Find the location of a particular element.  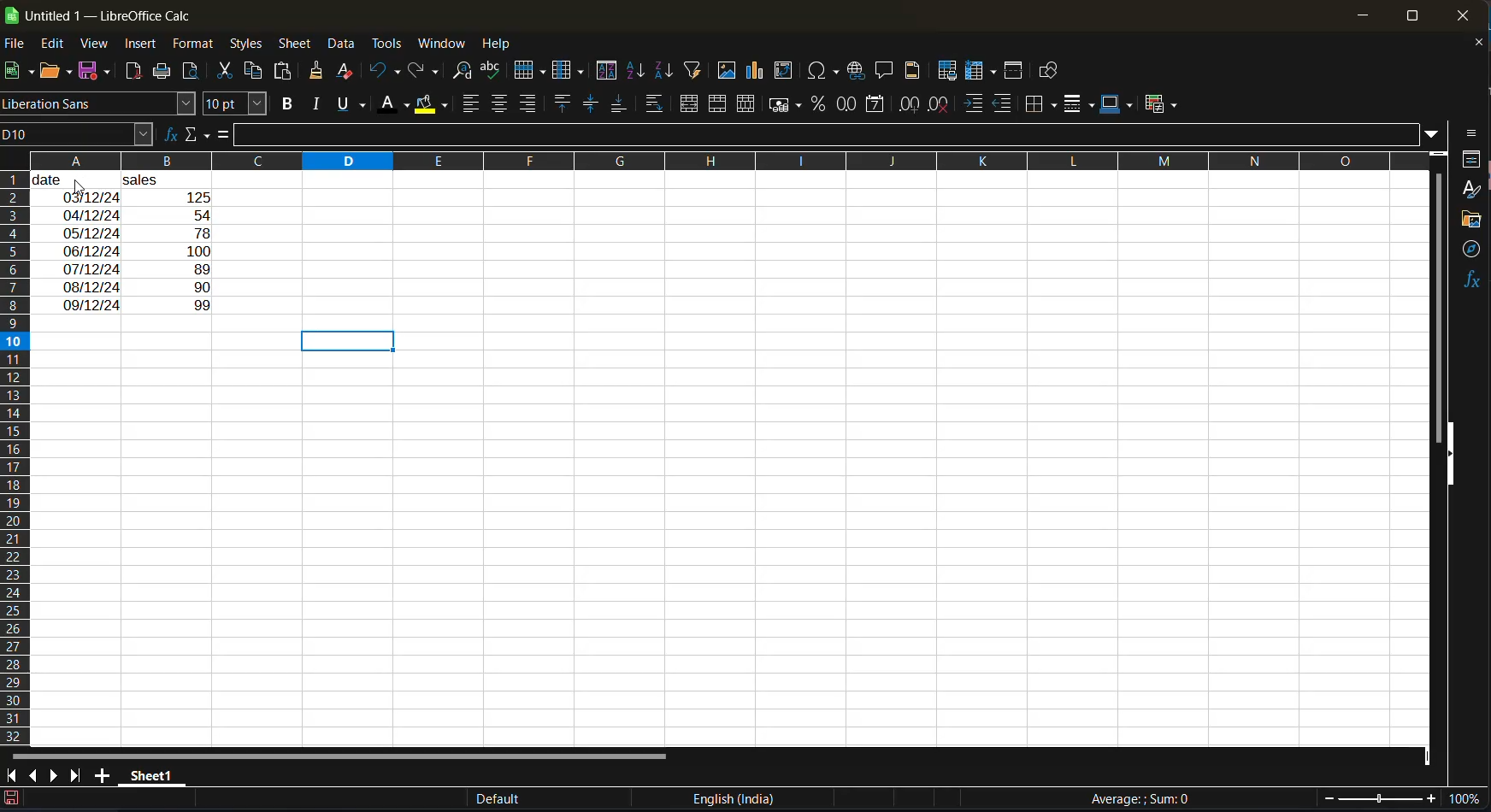

data is located at coordinates (343, 44).